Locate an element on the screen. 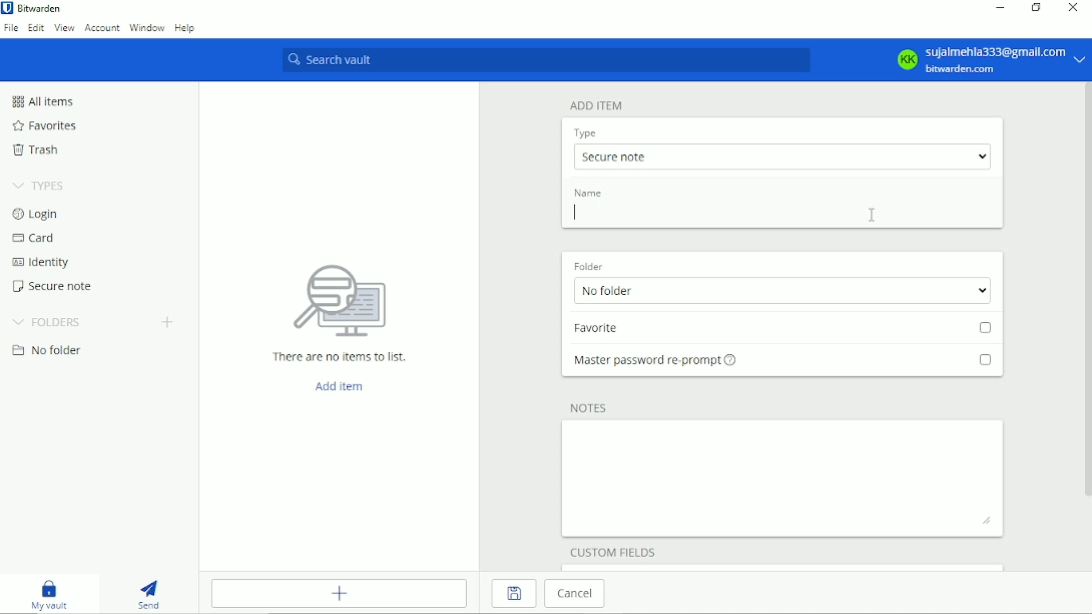  Add item is located at coordinates (341, 594).